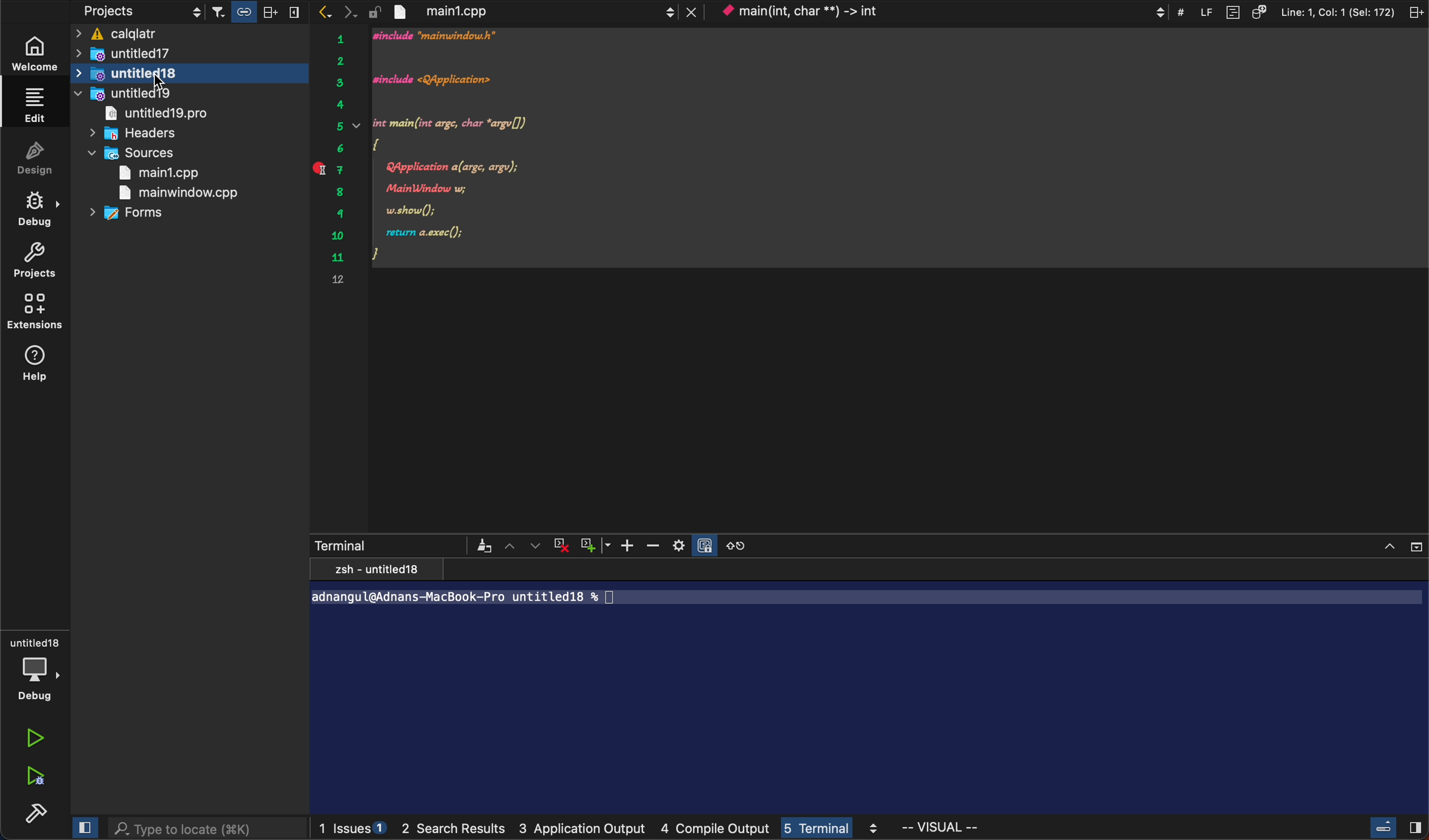 The width and height of the screenshot is (1429, 840). What do you see at coordinates (32, 773) in the screenshot?
I see `run debug` at bounding box center [32, 773].